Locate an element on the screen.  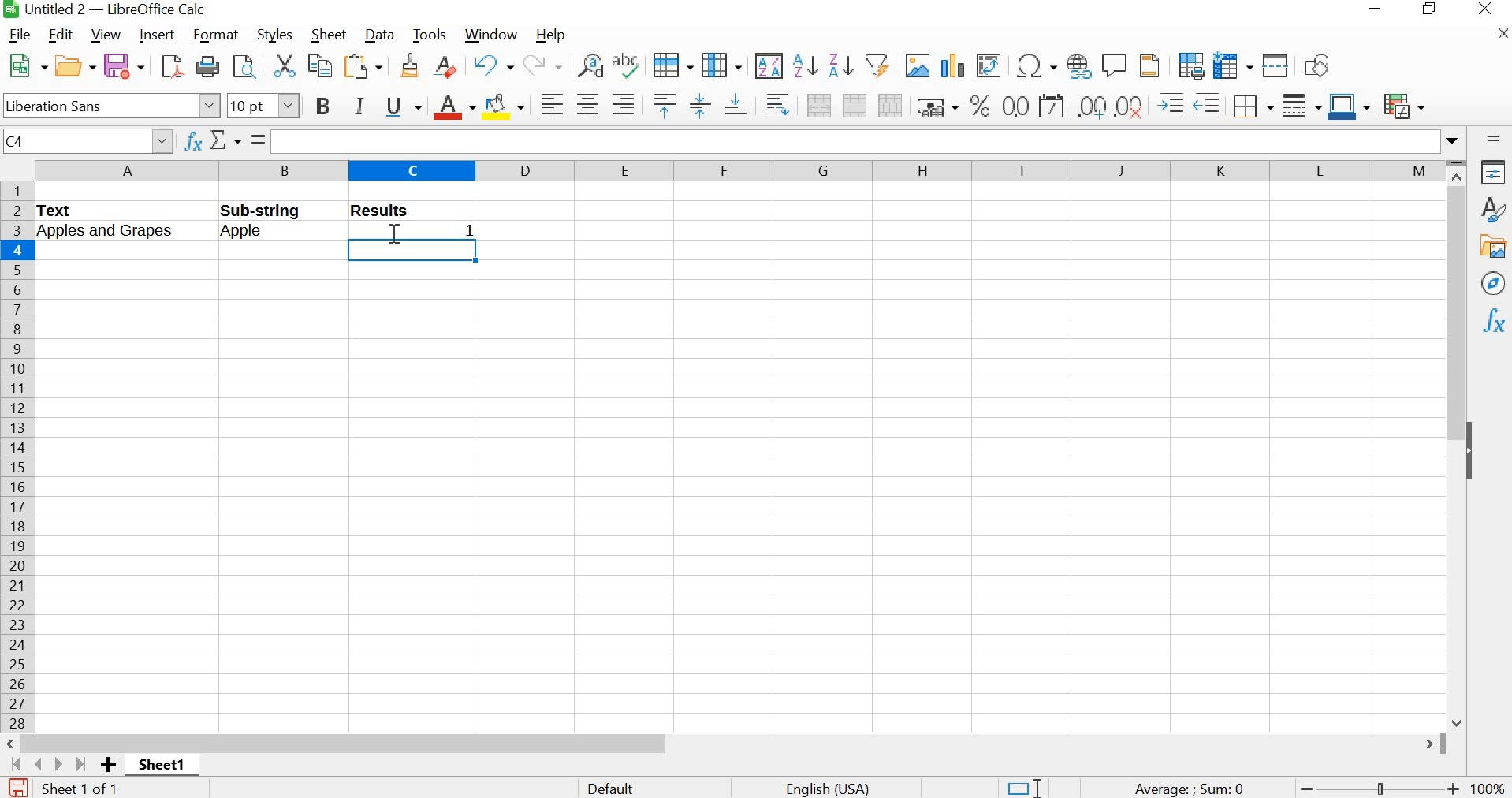
autofilter is located at coordinates (877, 67).